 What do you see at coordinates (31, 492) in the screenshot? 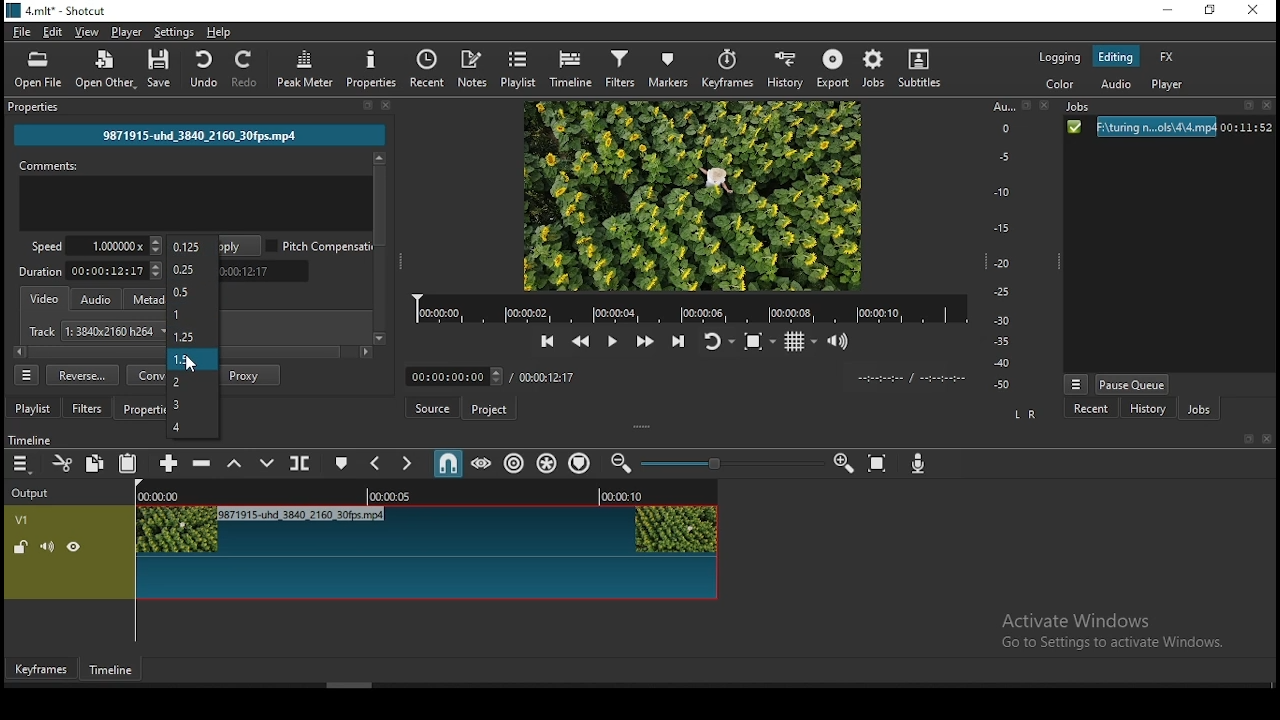
I see `Output` at bounding box center [31, 492].